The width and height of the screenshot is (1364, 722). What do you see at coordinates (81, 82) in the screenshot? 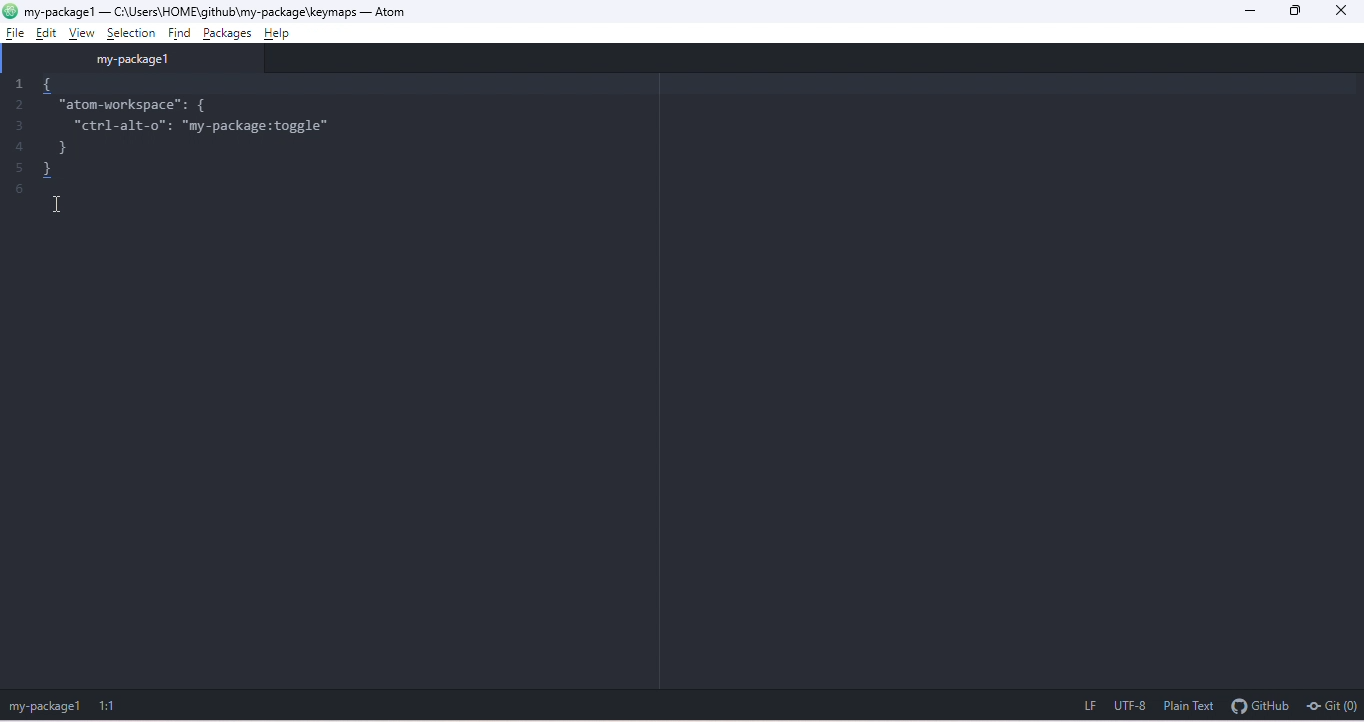
I see `{` at bounding box center [81, 82].